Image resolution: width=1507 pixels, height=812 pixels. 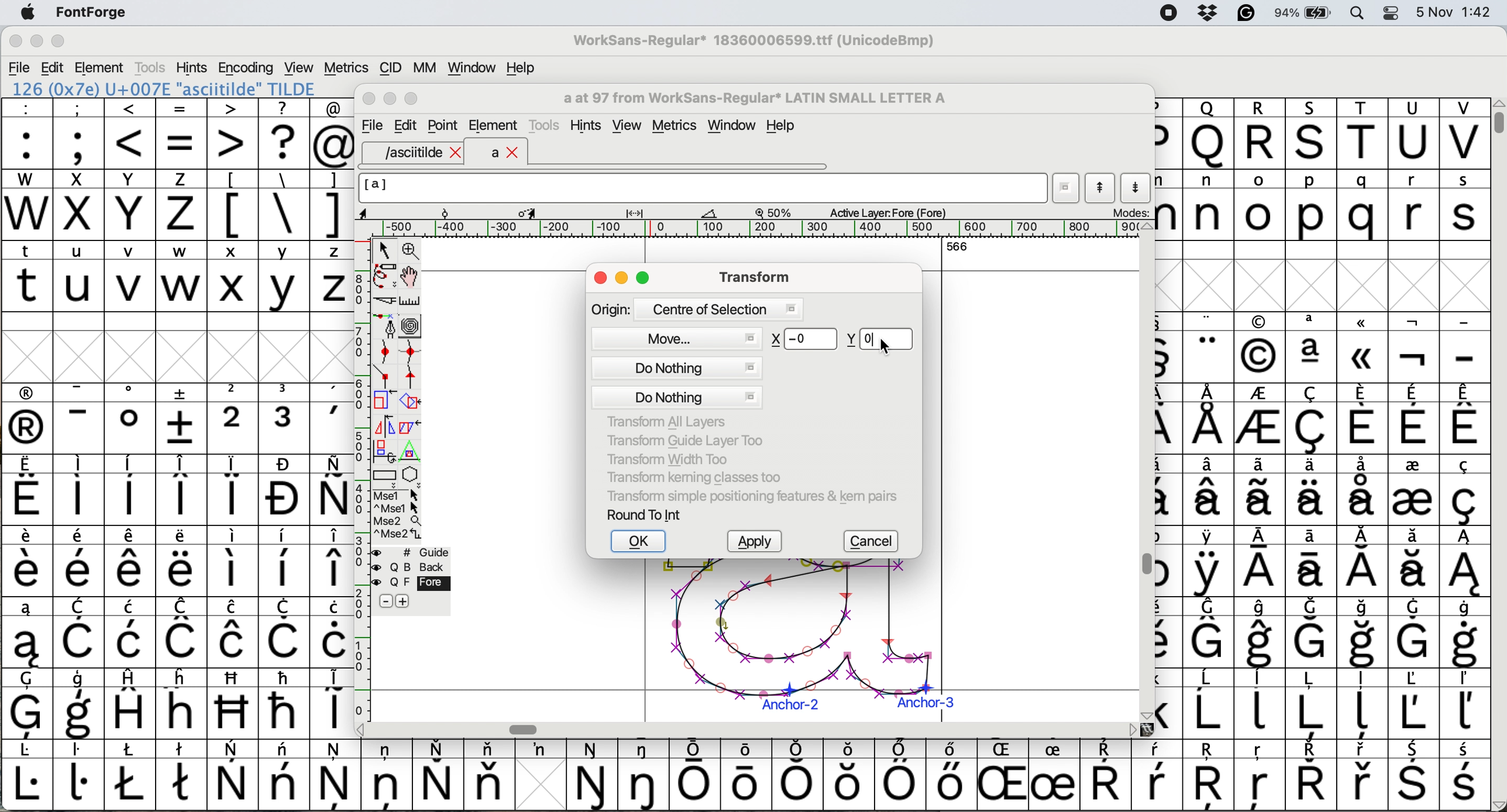 I want to click on symbol, so click(x=1312, y=633).